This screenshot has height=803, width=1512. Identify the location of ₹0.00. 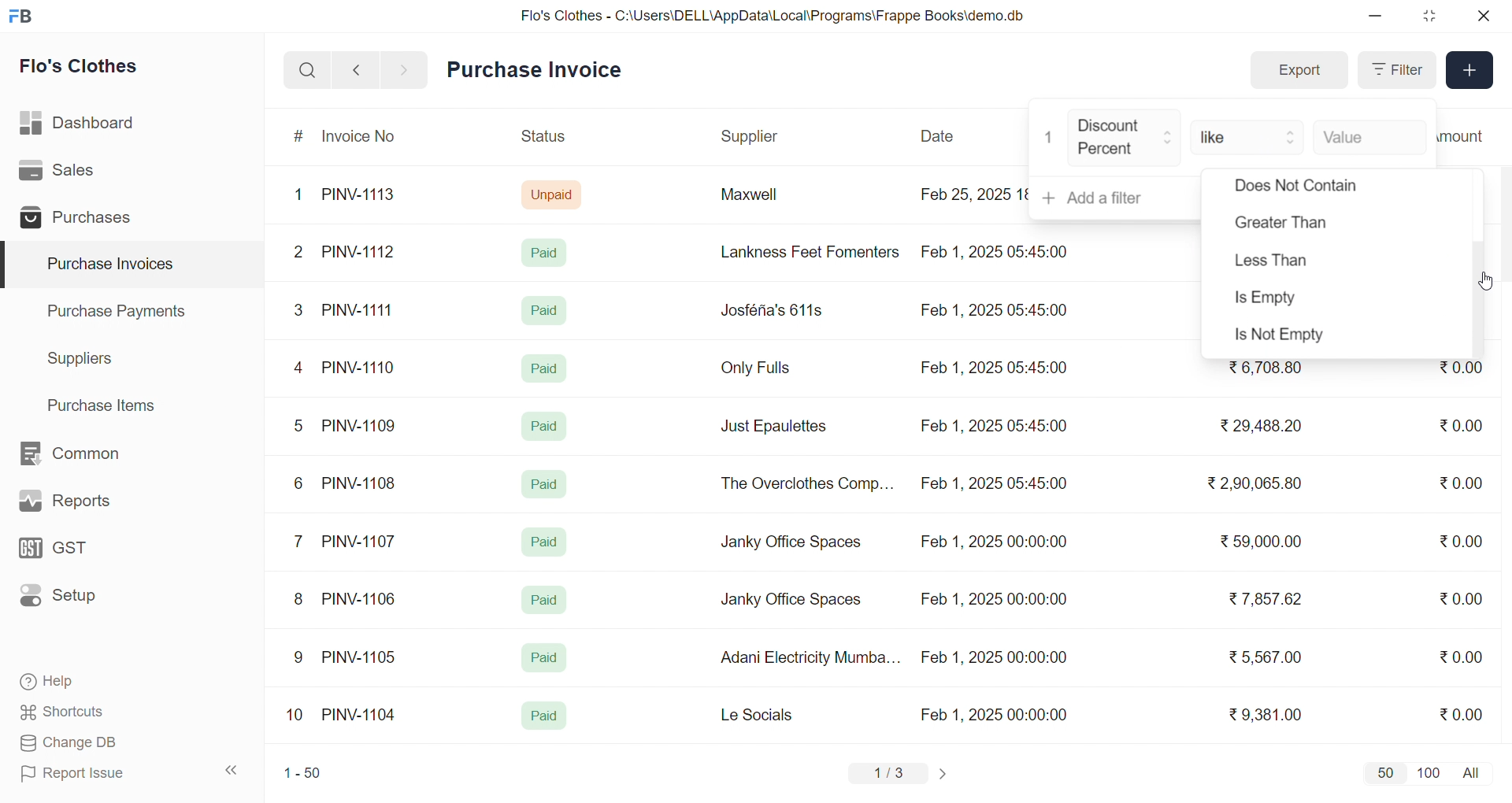
(1460, 485).